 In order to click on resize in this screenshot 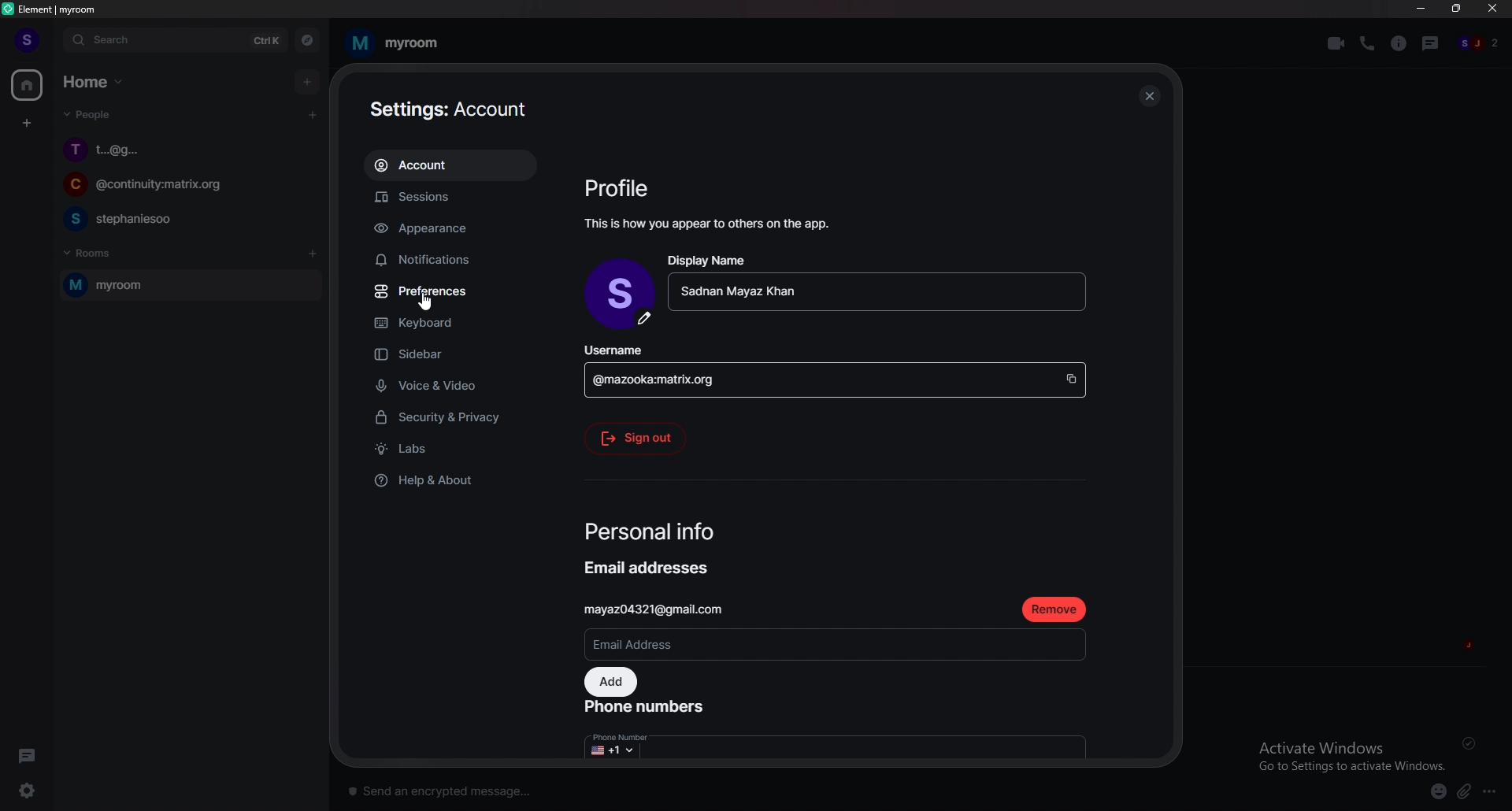, I will do `click(1458, 9)`.